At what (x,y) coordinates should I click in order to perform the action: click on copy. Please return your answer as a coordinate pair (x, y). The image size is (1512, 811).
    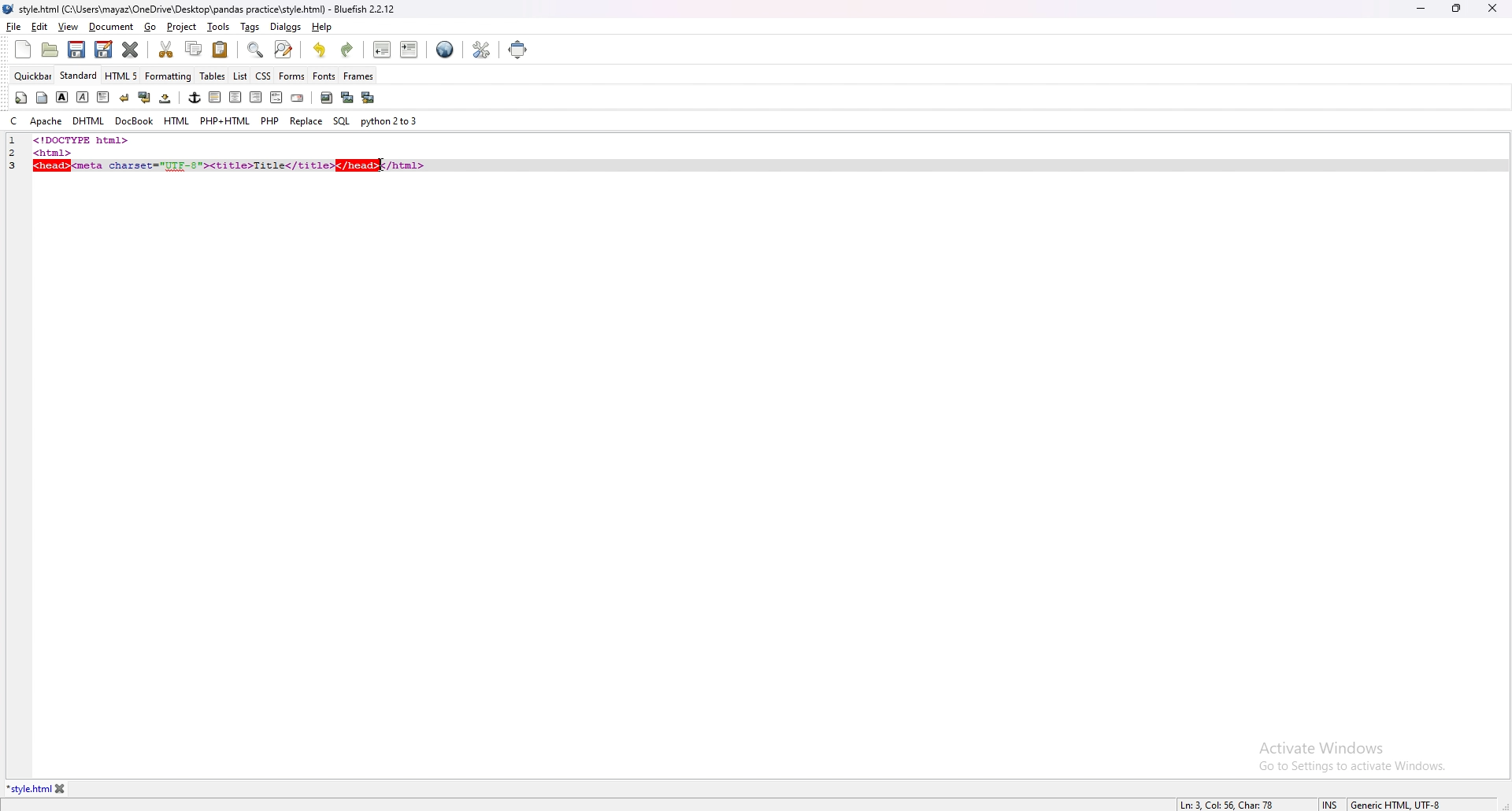
    Looking at the image, I should click on (195, 49).